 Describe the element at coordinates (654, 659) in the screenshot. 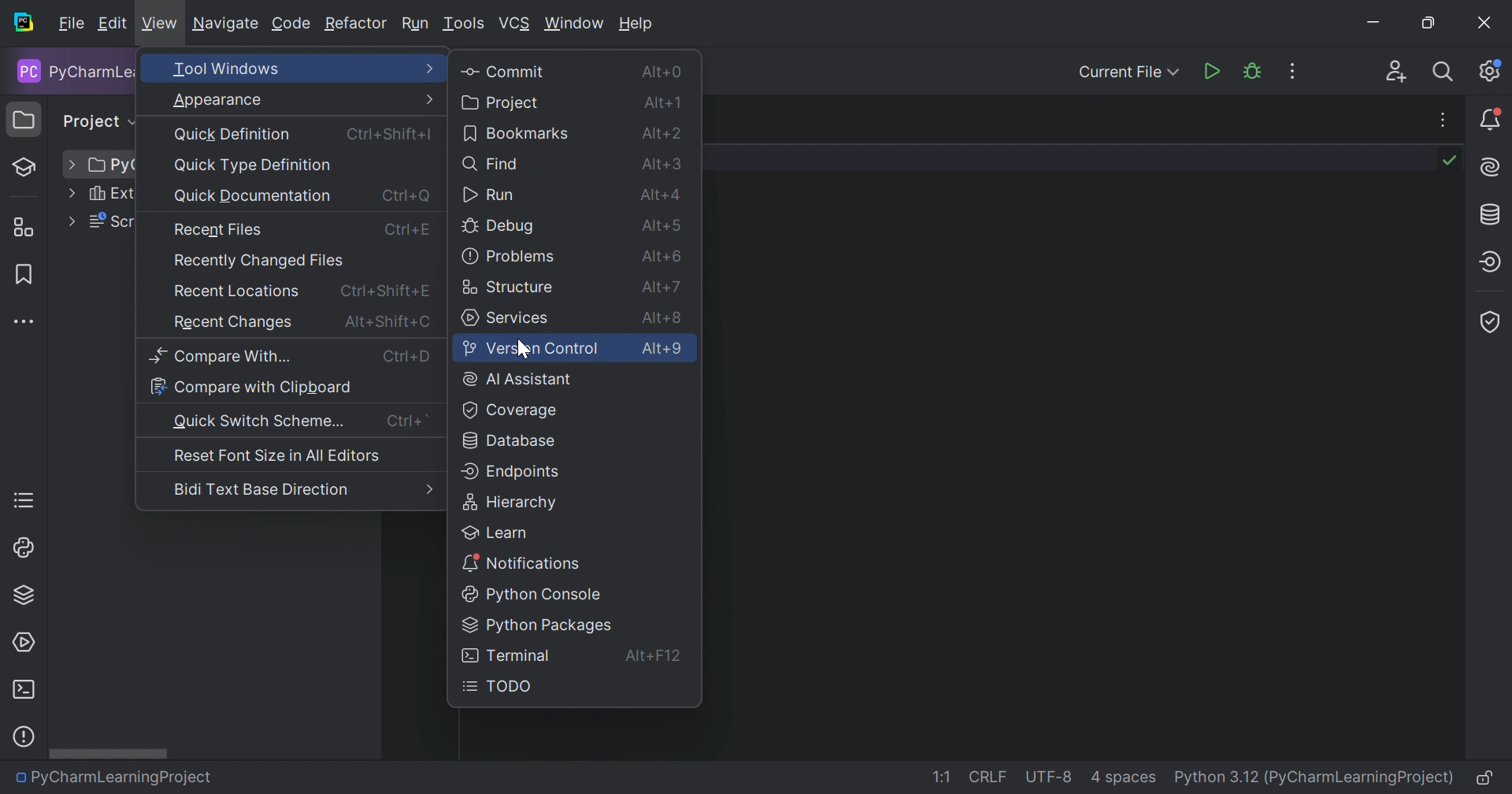

I see `Alt+F12` at that location.